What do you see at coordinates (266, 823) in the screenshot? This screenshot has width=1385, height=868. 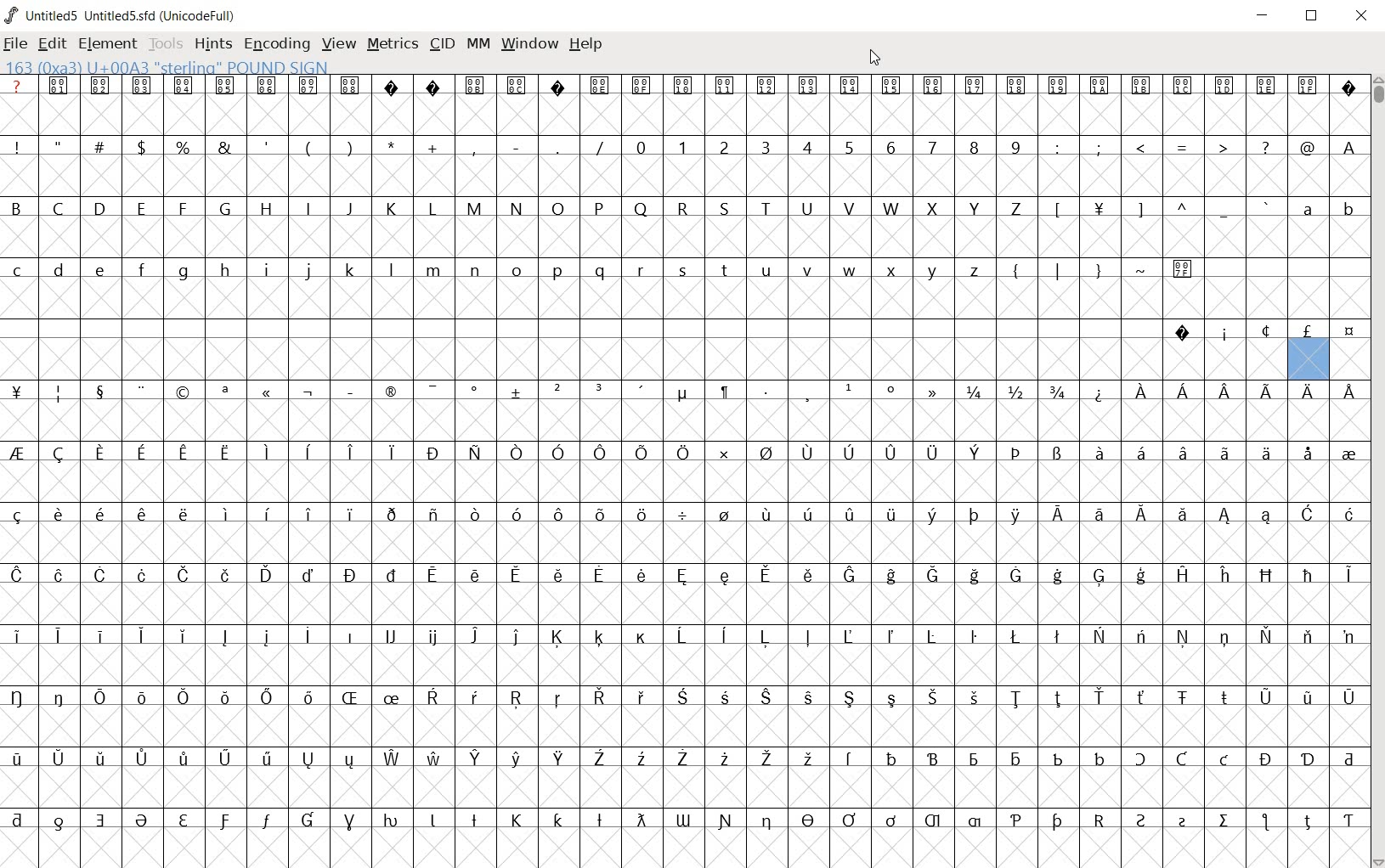 I see `Symbol` at bounding box center [266, 823].